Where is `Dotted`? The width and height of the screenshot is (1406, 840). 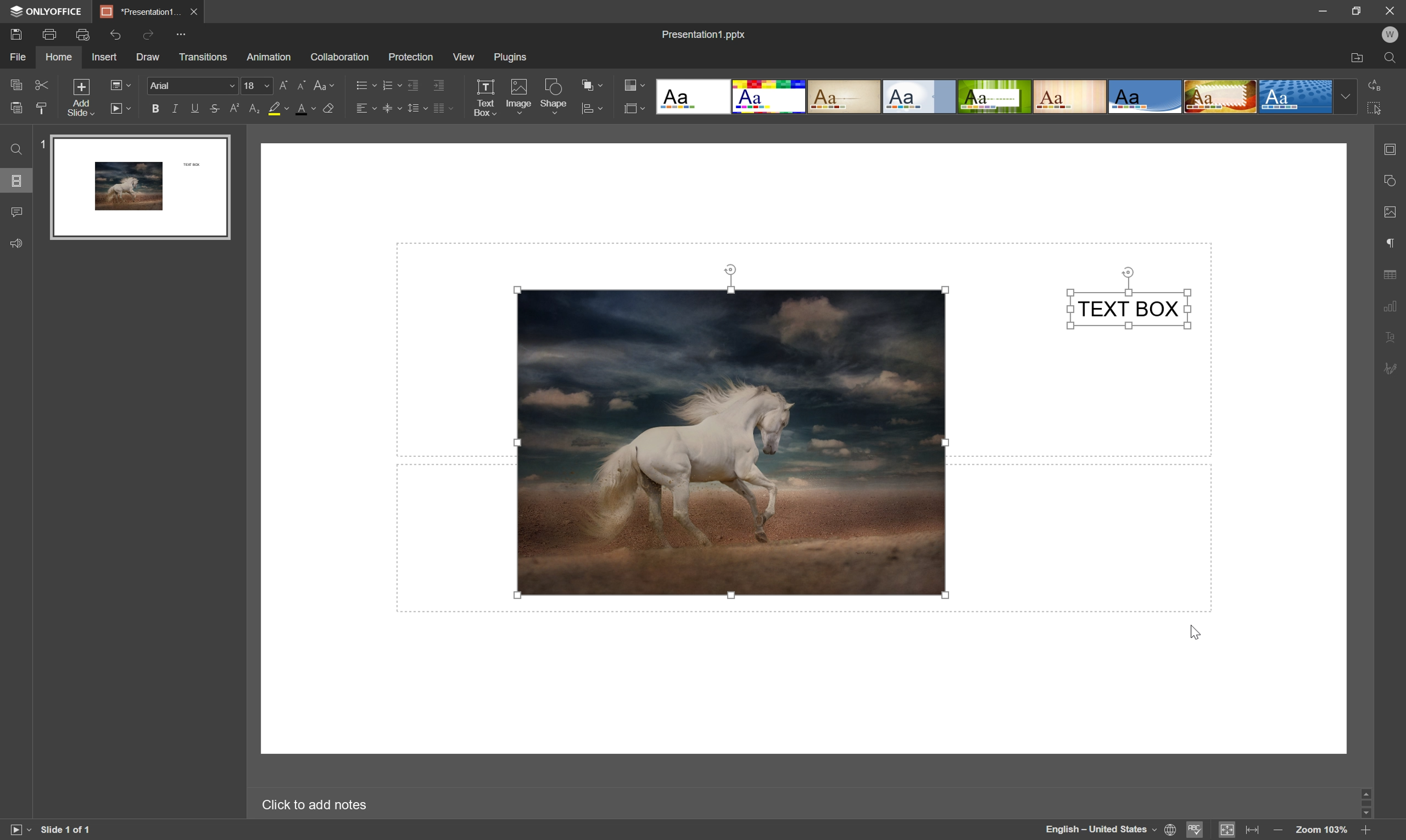 Dotted is located at coordinates (1297, 98).